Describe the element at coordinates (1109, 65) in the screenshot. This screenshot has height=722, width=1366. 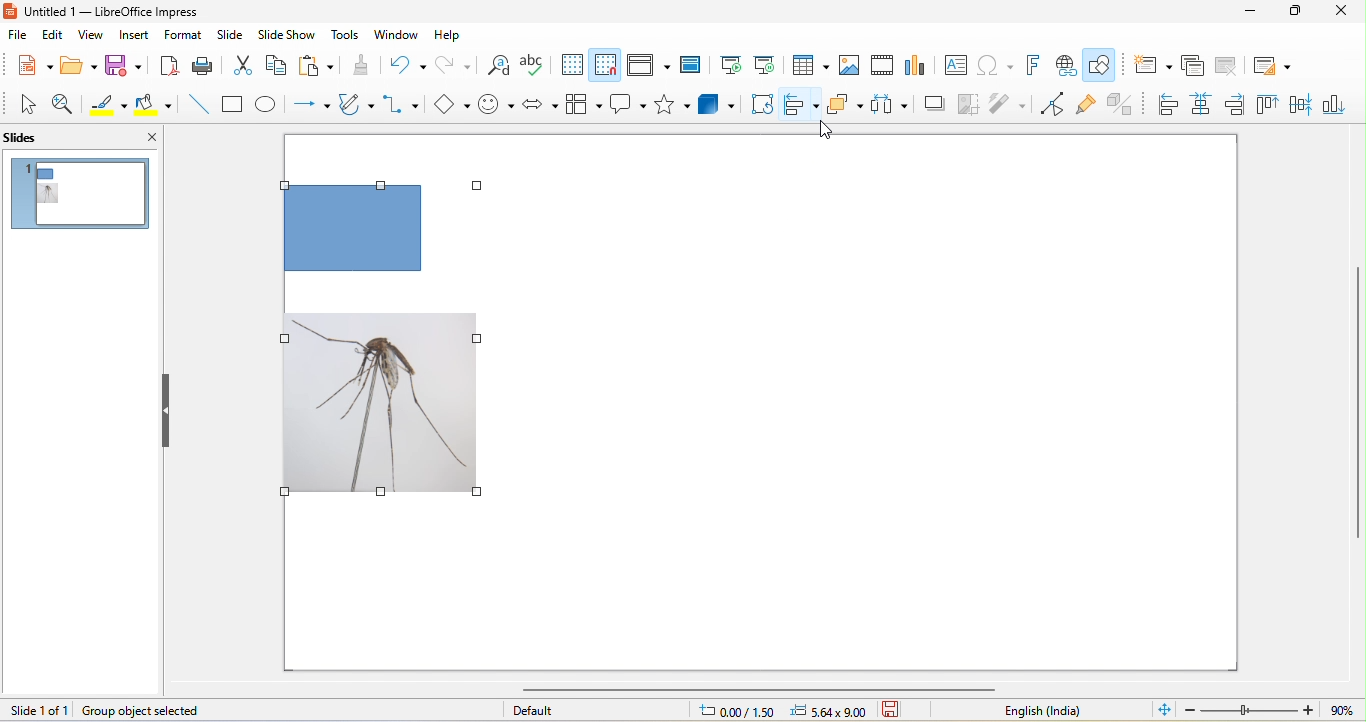
I see `show draw function` at that location.